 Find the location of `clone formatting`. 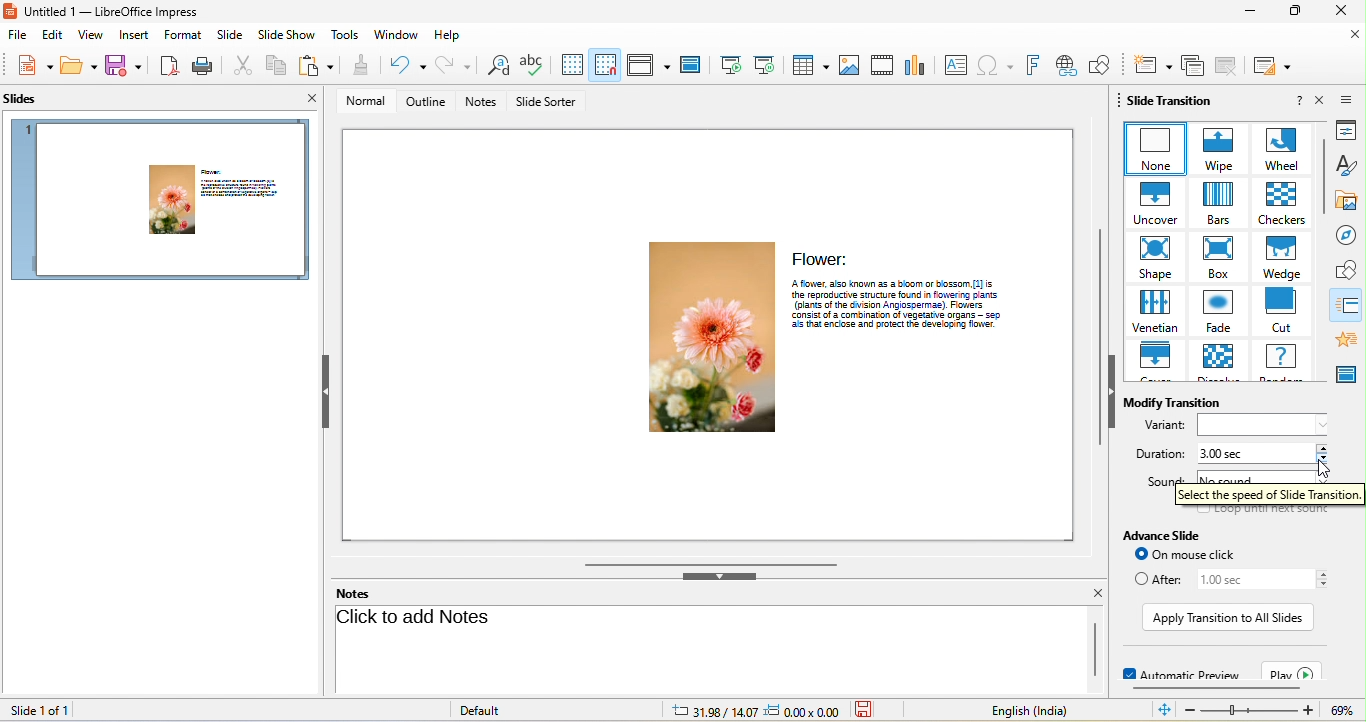

clone formatting is located at coordinates (356, 66).